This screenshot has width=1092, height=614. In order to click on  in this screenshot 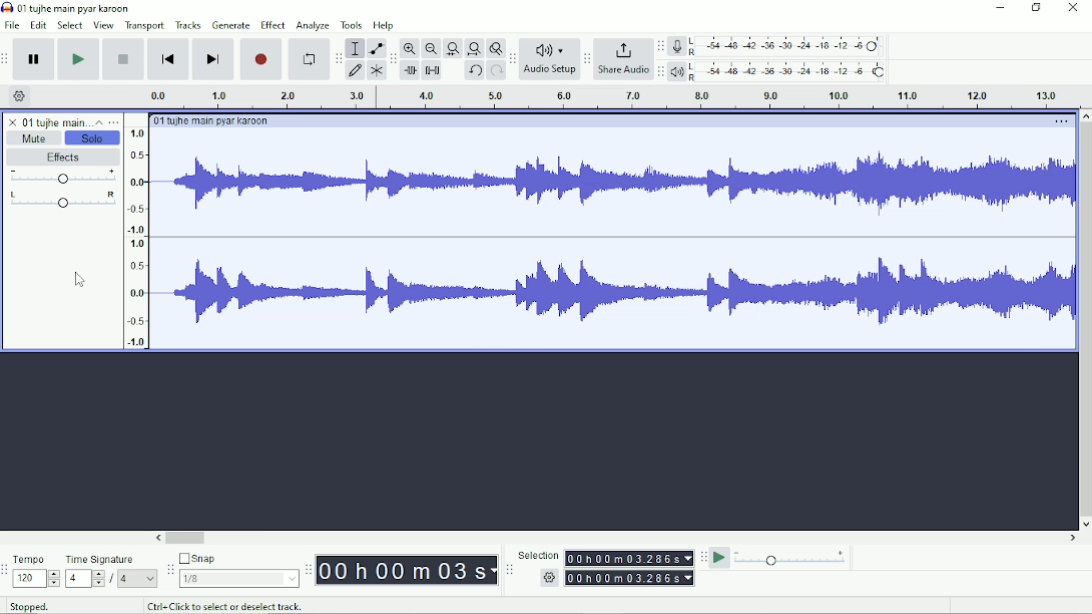, I will do `click(540, 554)`.